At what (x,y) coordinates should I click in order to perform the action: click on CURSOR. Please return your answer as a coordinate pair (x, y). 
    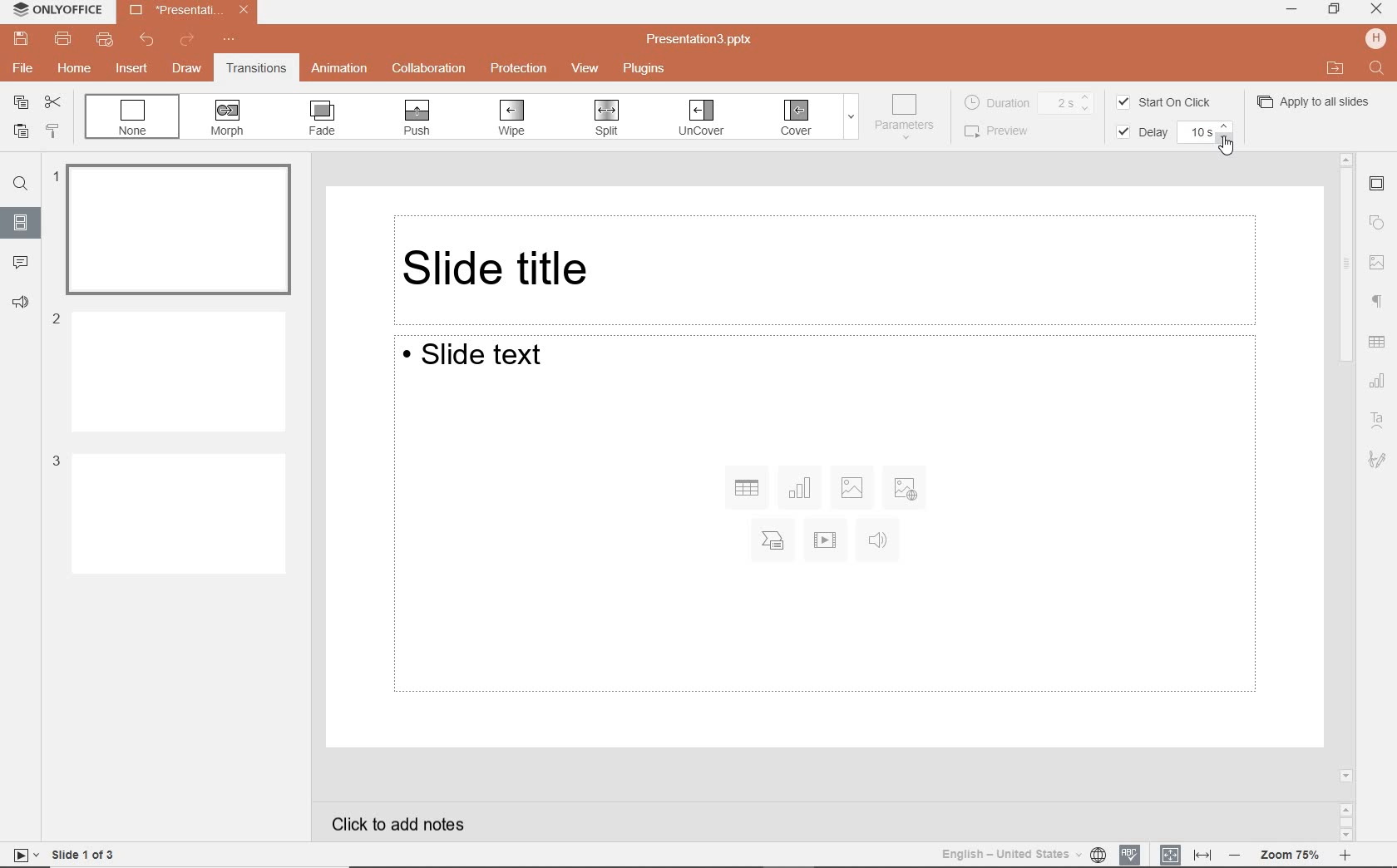
    Looking at the image, I should click on (1224, 145).